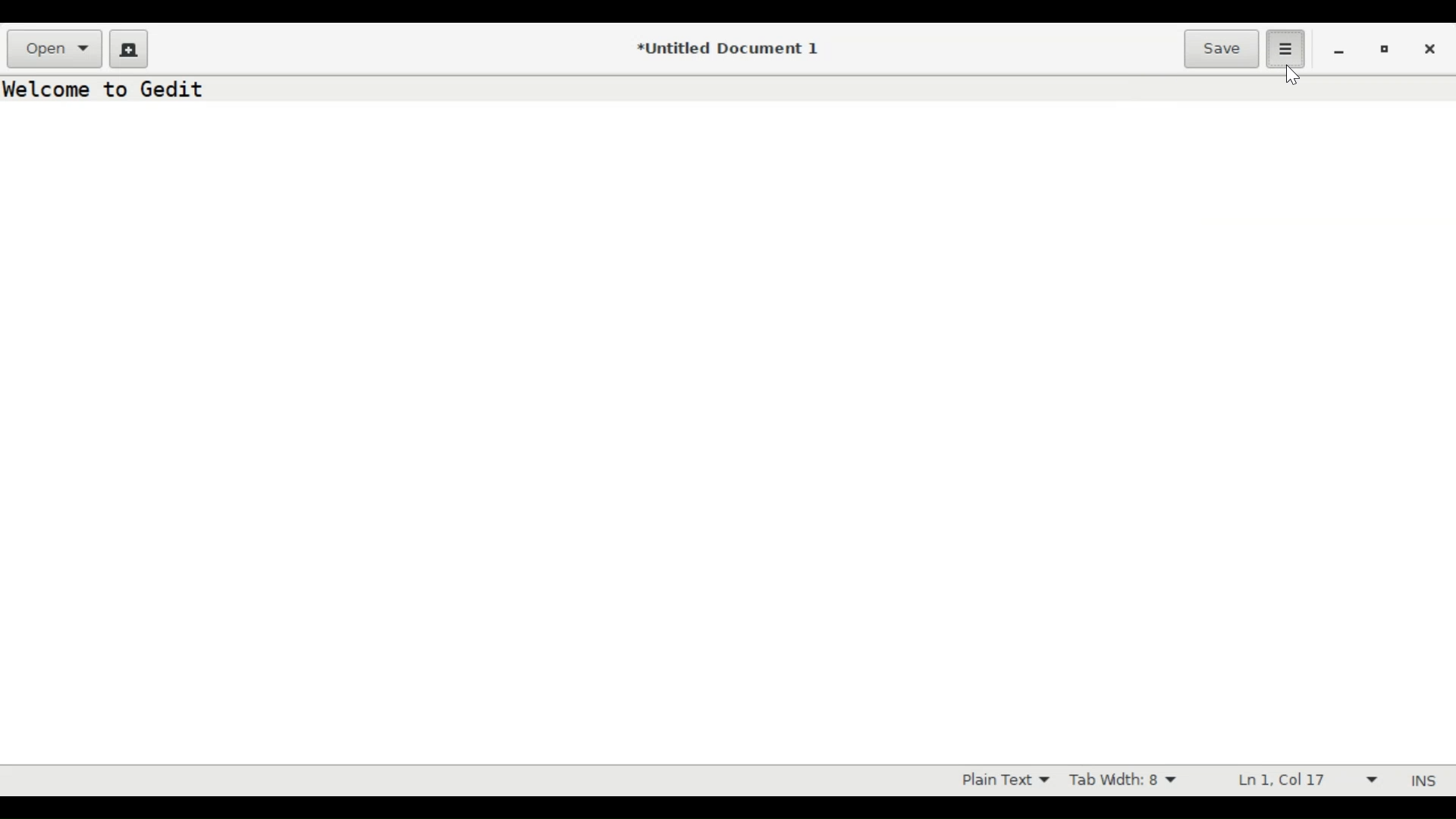 This screenshot has height=819, width=1456. Describe the element at coordinates (1003, 780) in the screenshot. I see `Highlight mode option` at that location.